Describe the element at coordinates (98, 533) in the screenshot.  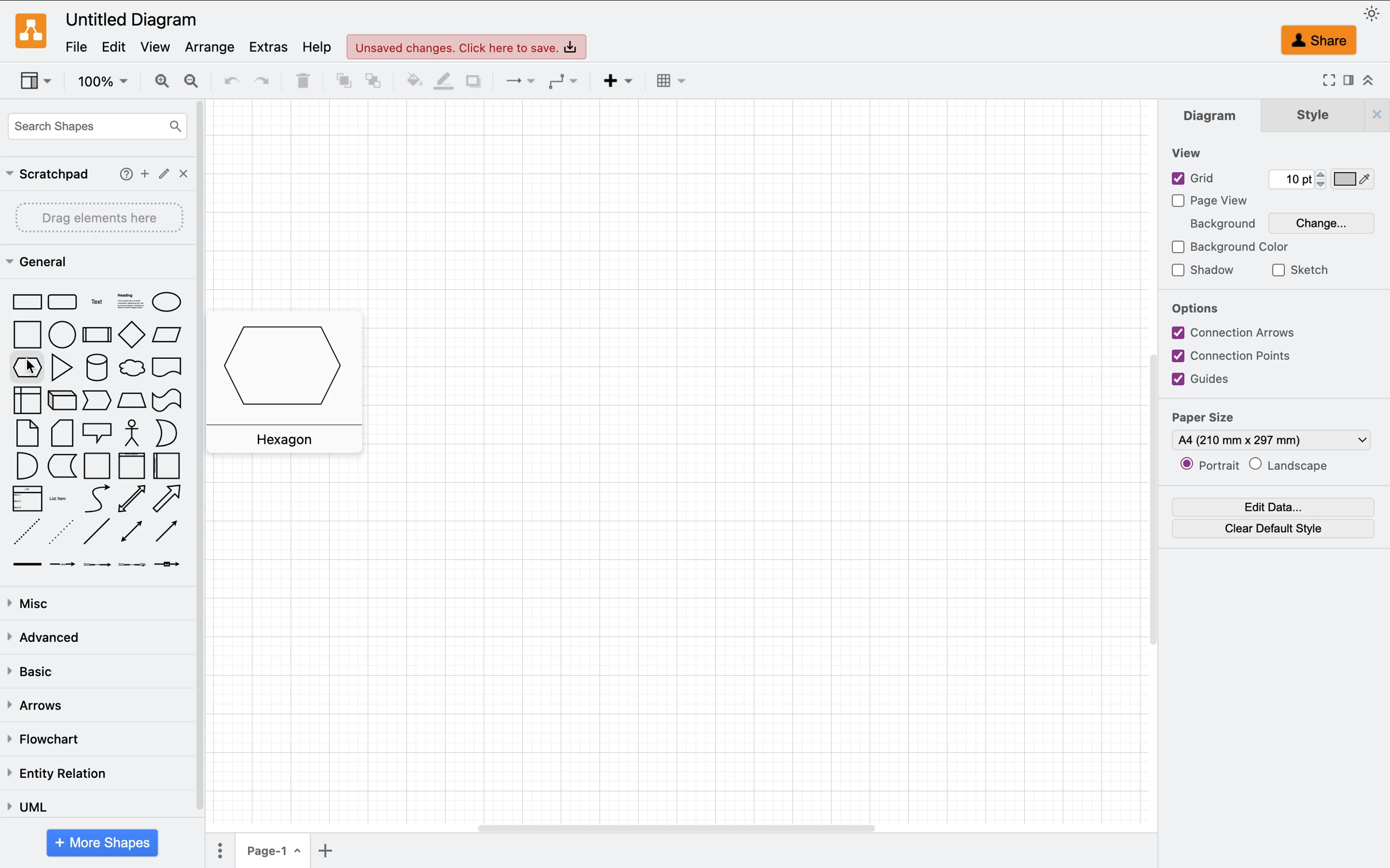
I see `line` at that location.